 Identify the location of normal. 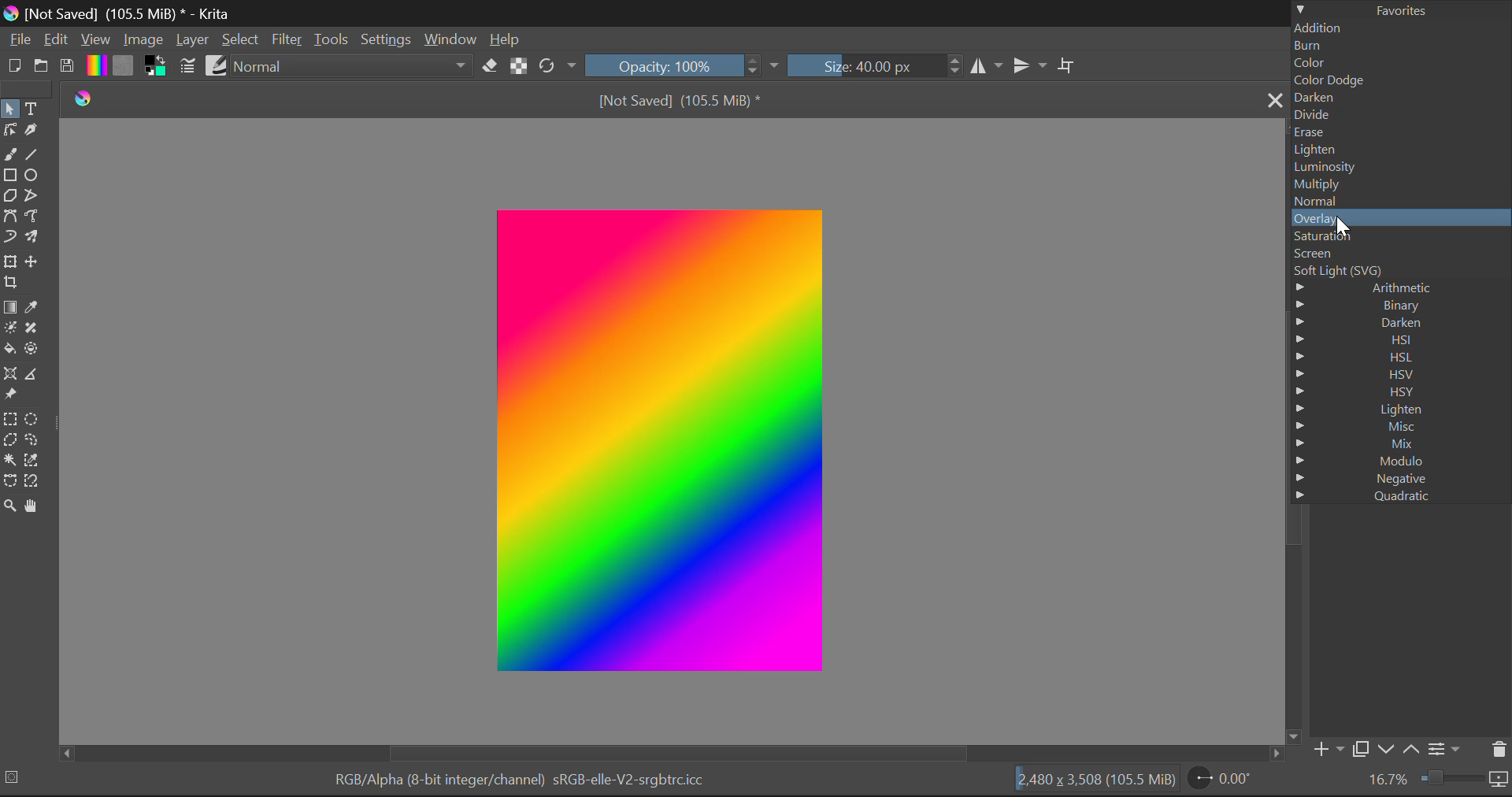
(354, 67).